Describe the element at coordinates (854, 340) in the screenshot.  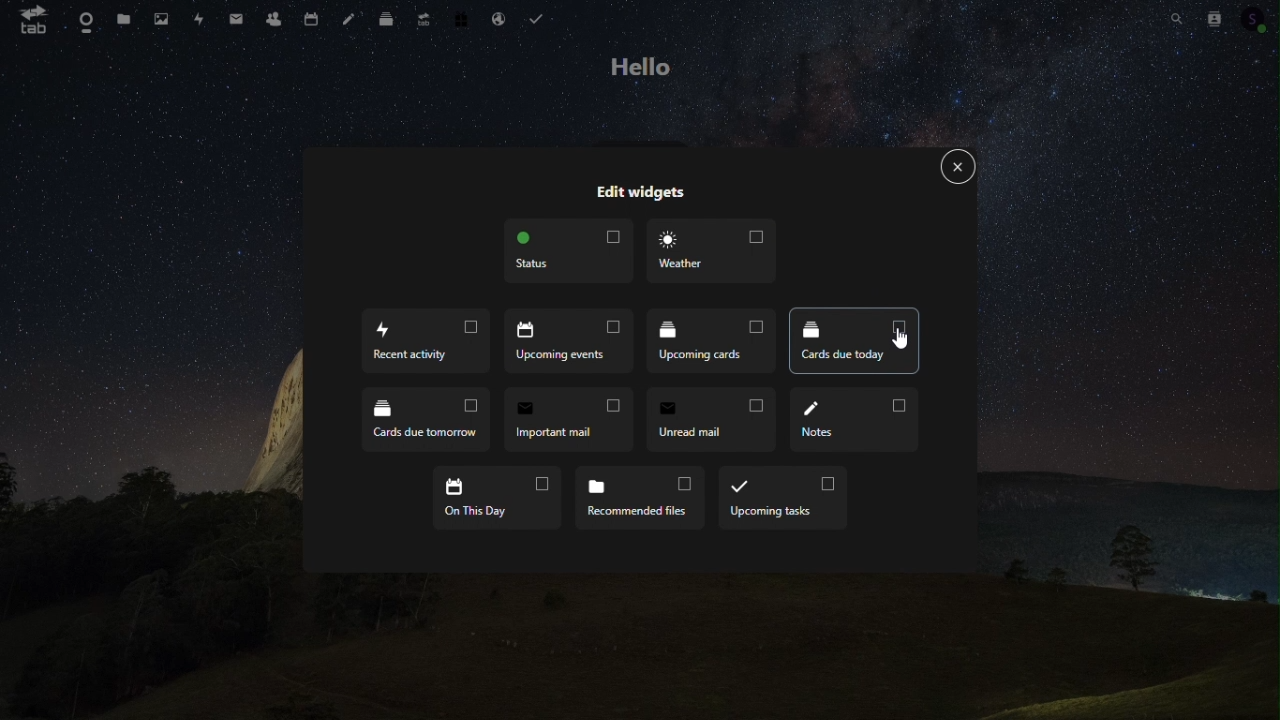
I see `Cards due today` at that location.